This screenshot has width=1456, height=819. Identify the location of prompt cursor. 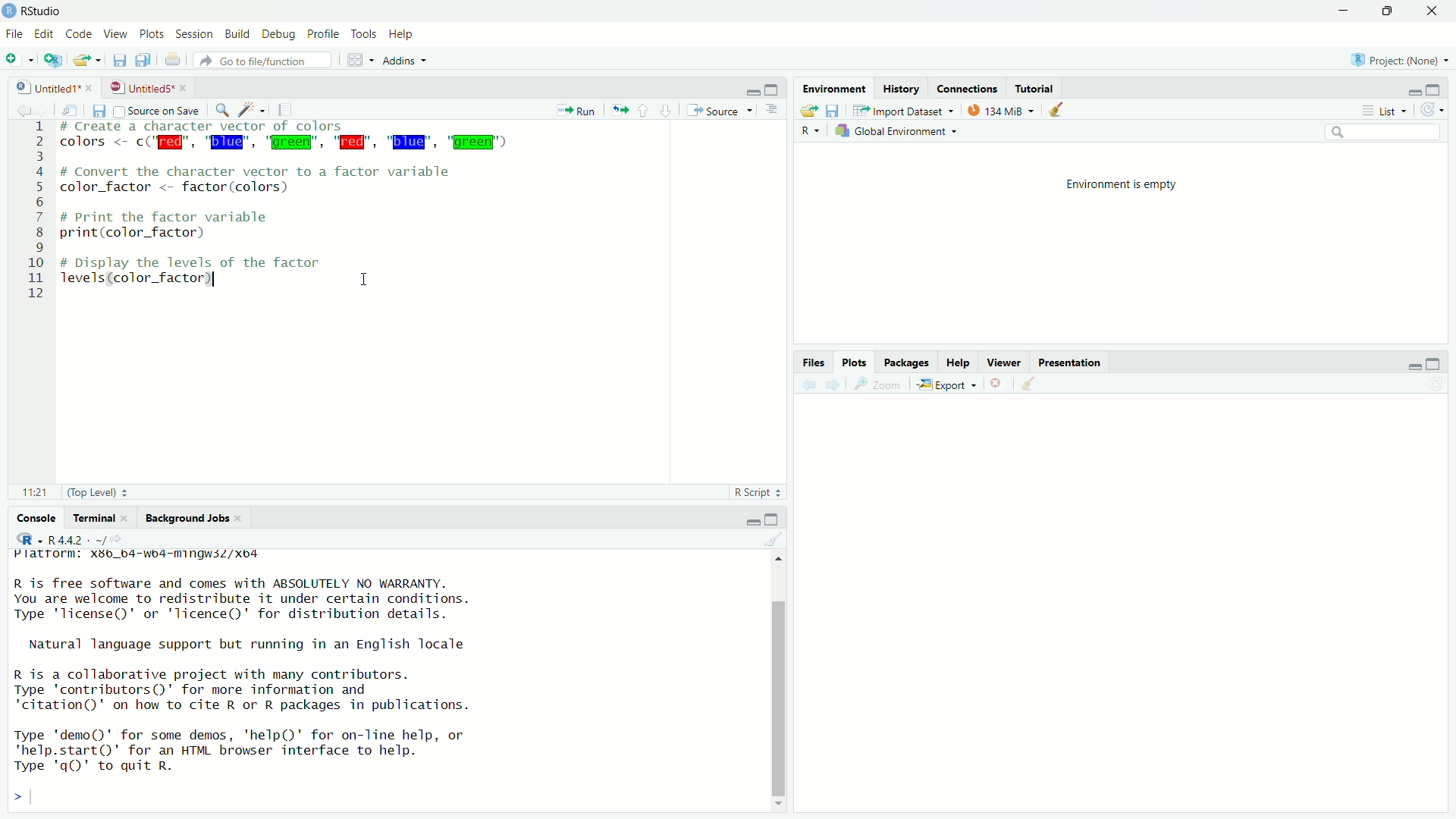
(12, 799).